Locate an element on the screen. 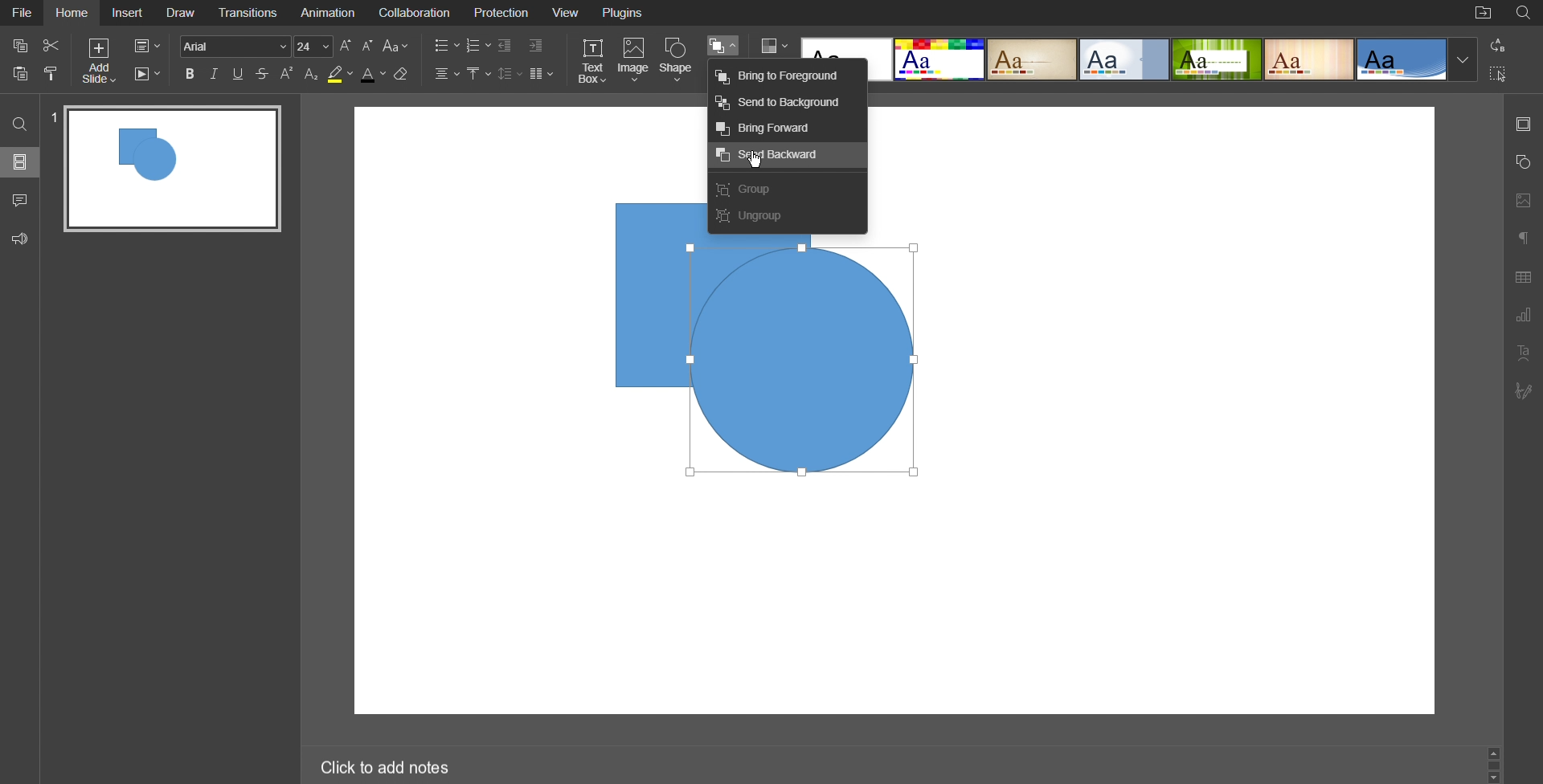 Image resolution: width=1543 pixels, height=784 pixels. Erase is located at coordinates (404, 74).